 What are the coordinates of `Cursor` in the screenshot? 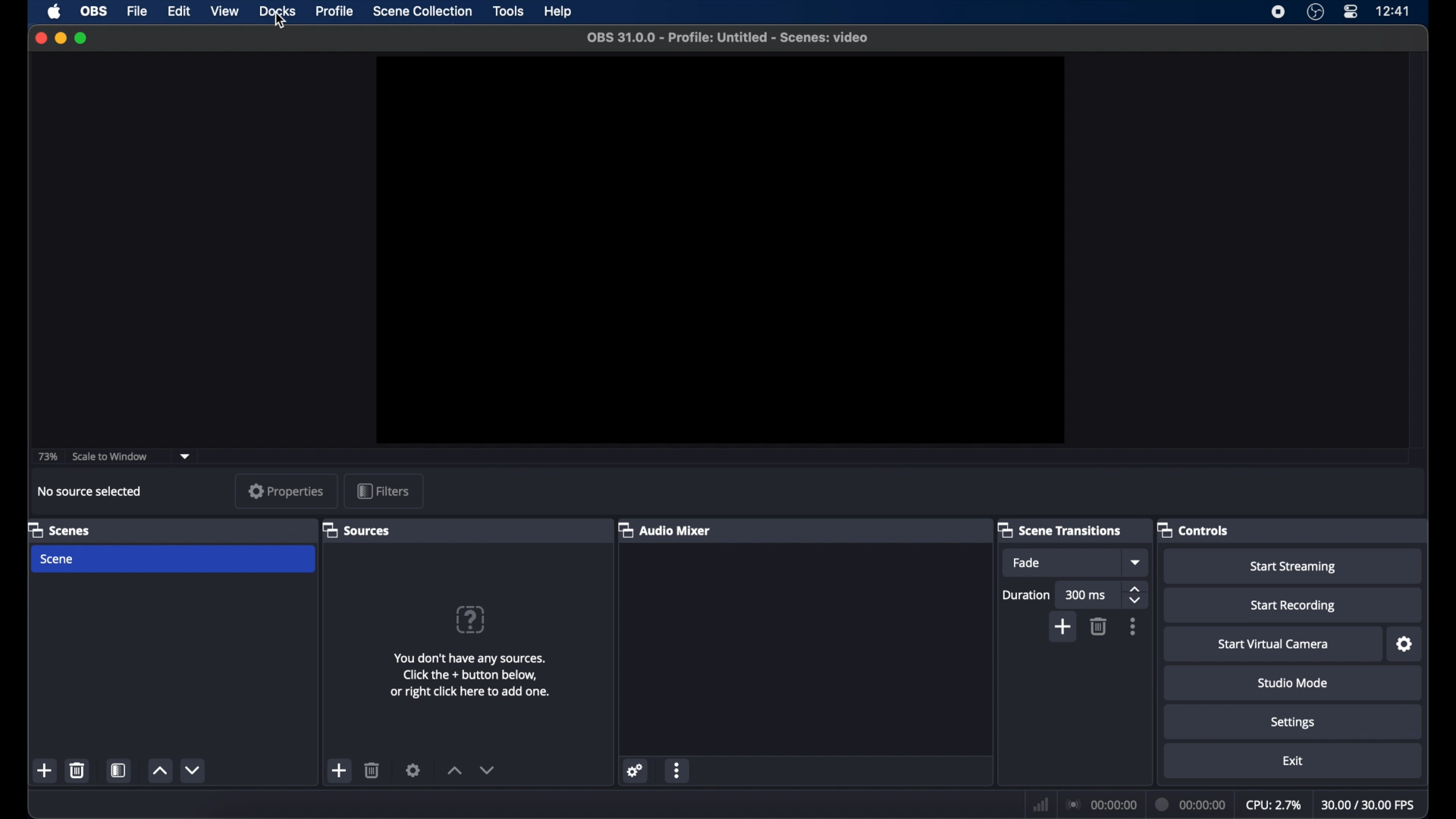 It's located at (278, 22).